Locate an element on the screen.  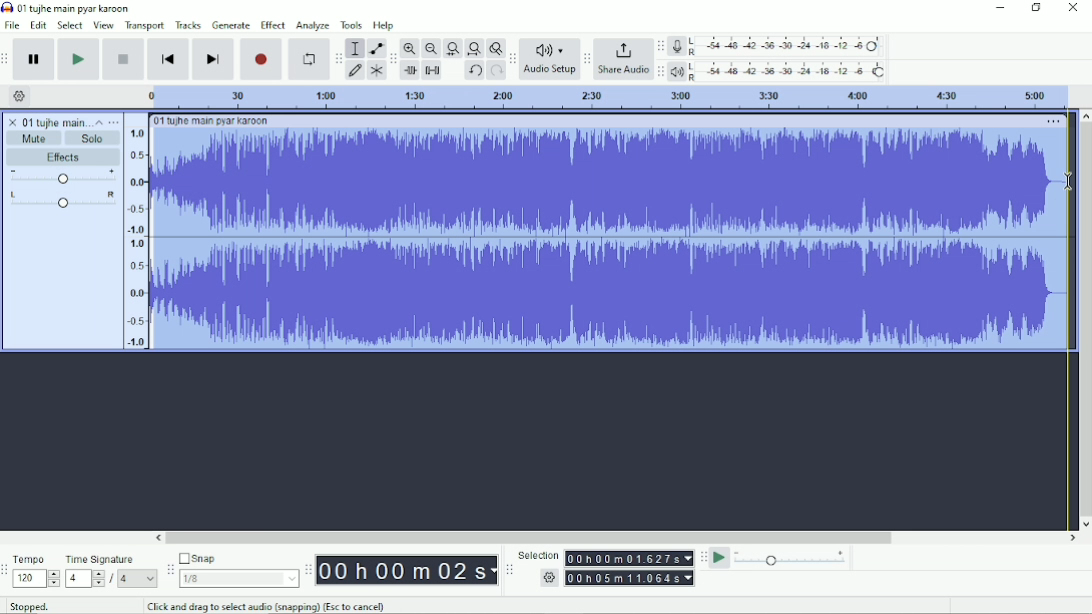
01 tujhe main is located at coordinates (55, 121).